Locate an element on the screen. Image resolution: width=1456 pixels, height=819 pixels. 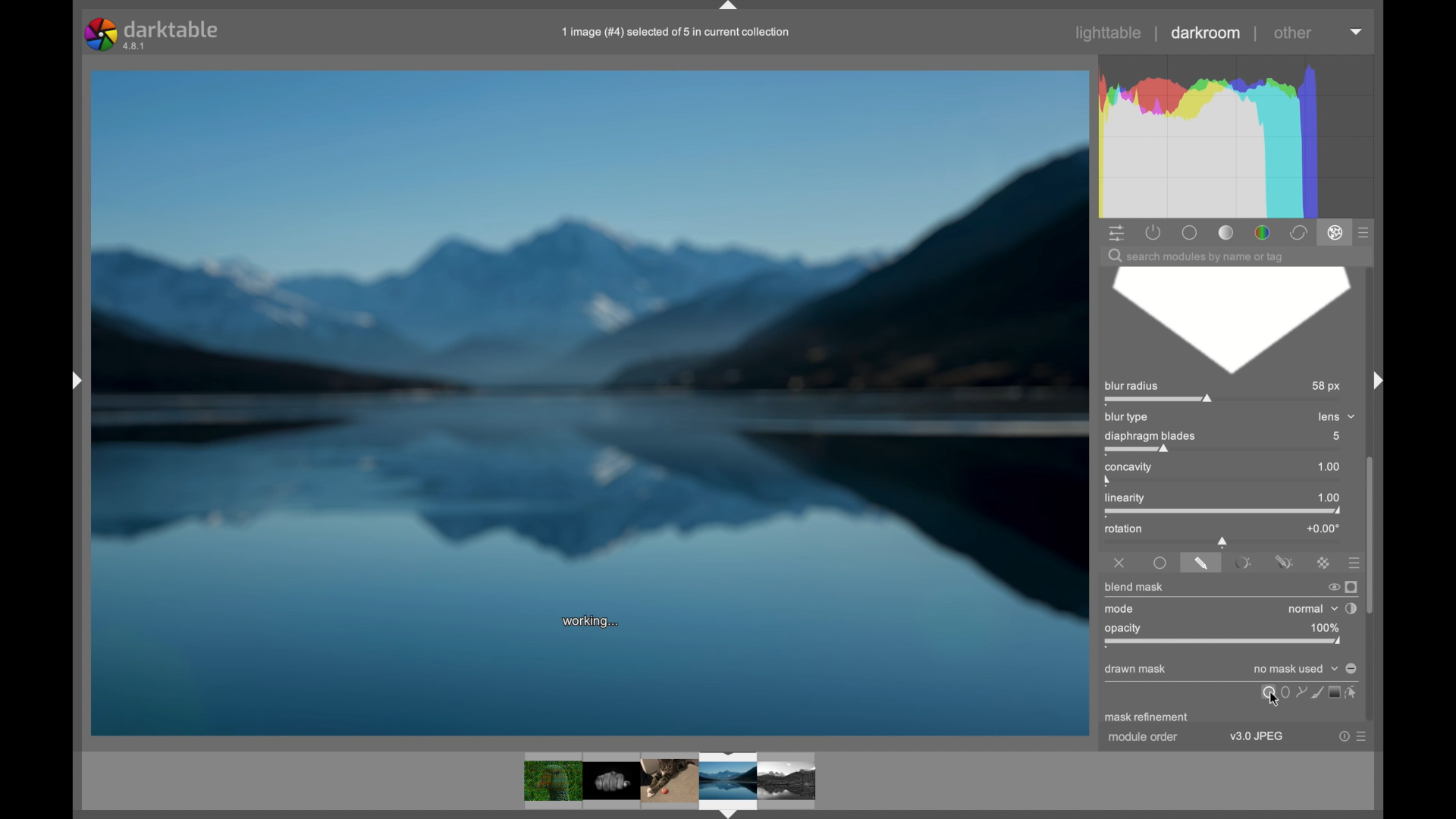
opacity is located at coordinates (1222, 643).